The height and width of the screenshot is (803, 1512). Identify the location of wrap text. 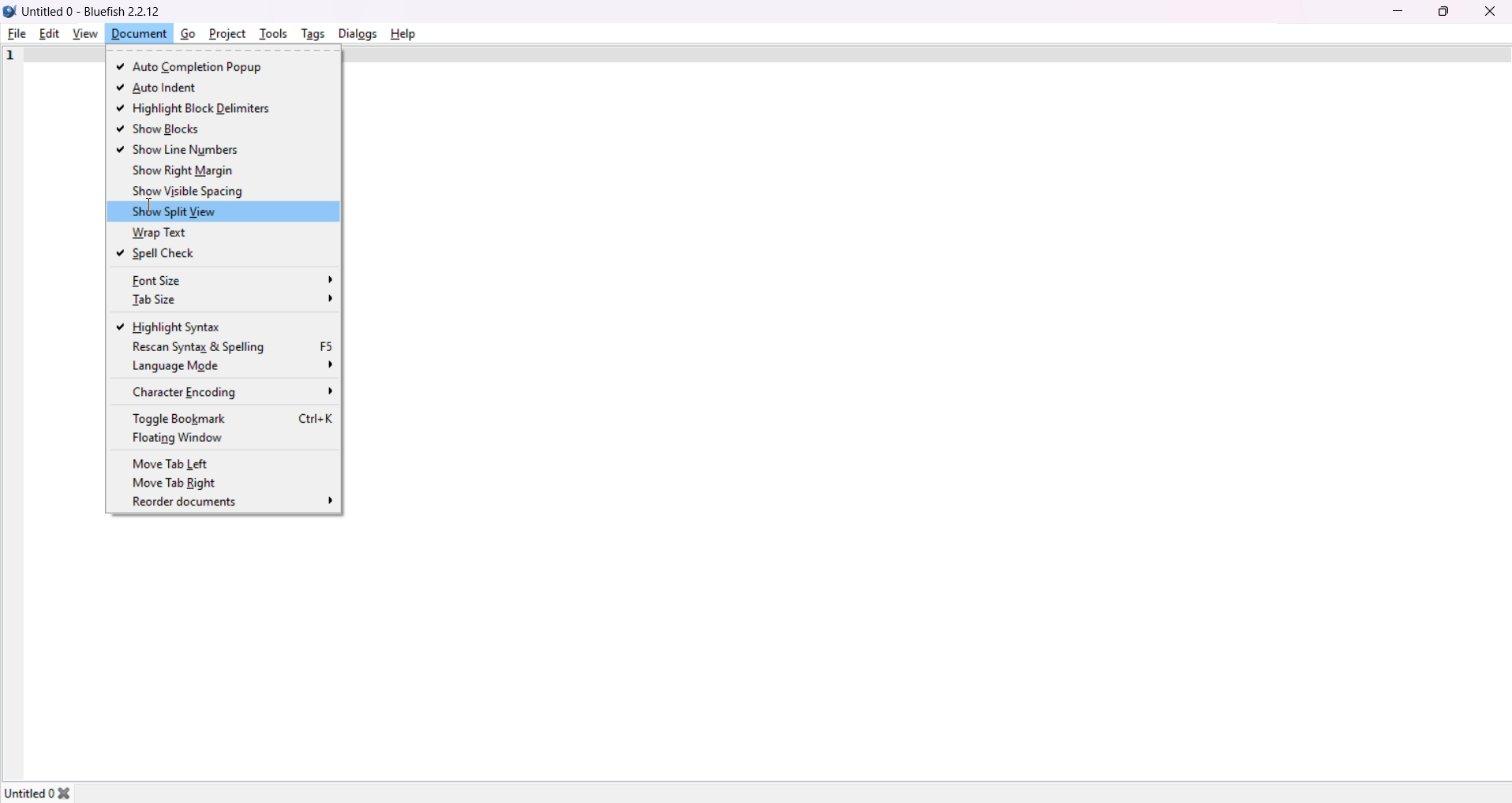
(154, 233).